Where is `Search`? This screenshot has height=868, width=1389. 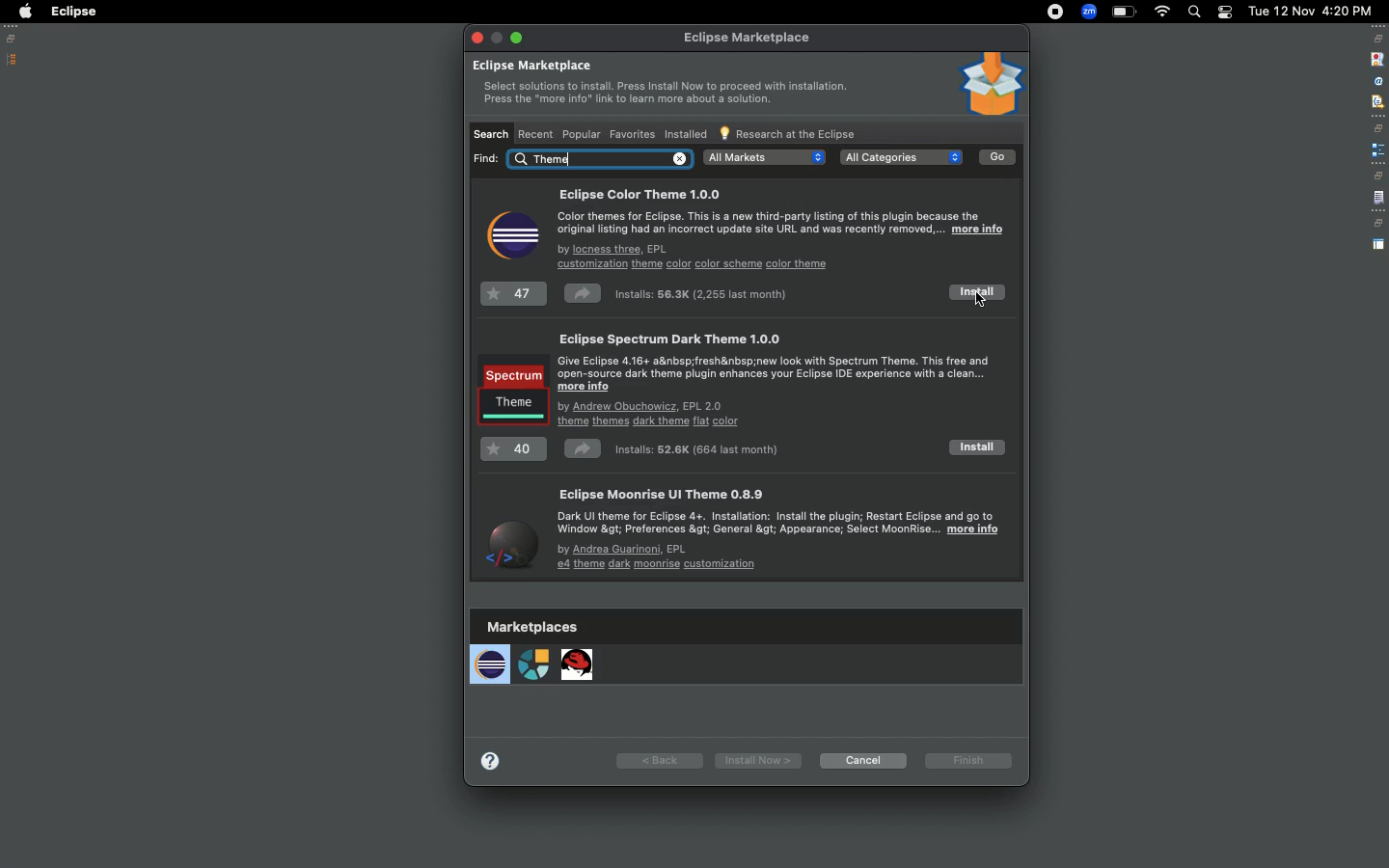 Search is located at coordinates (491, 133).